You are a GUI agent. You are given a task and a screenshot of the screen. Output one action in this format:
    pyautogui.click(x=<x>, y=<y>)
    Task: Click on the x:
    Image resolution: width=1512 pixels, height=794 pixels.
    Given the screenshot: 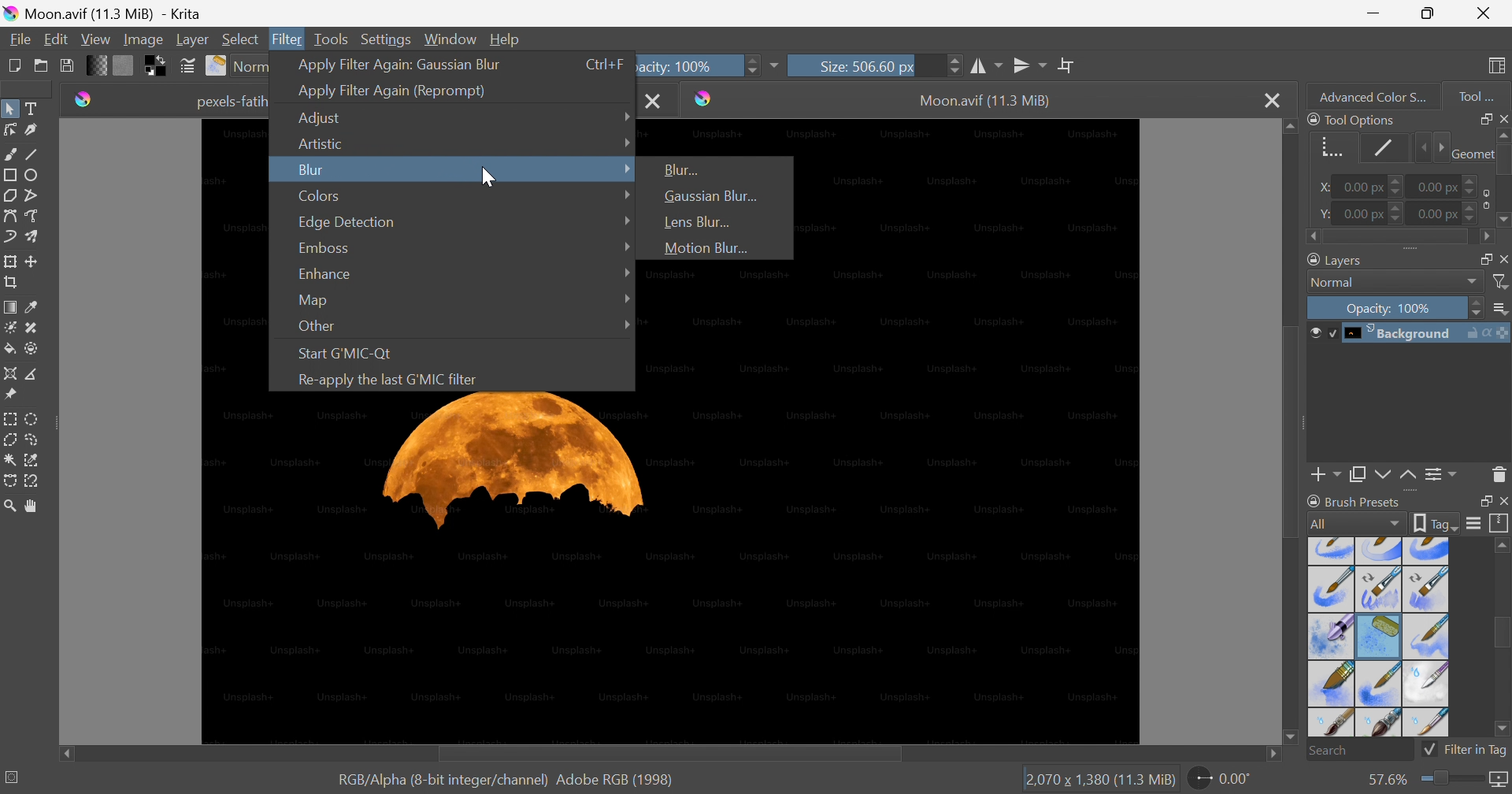 What is the action you would take?
    pyautogui.click(x=1325, y=187)
    